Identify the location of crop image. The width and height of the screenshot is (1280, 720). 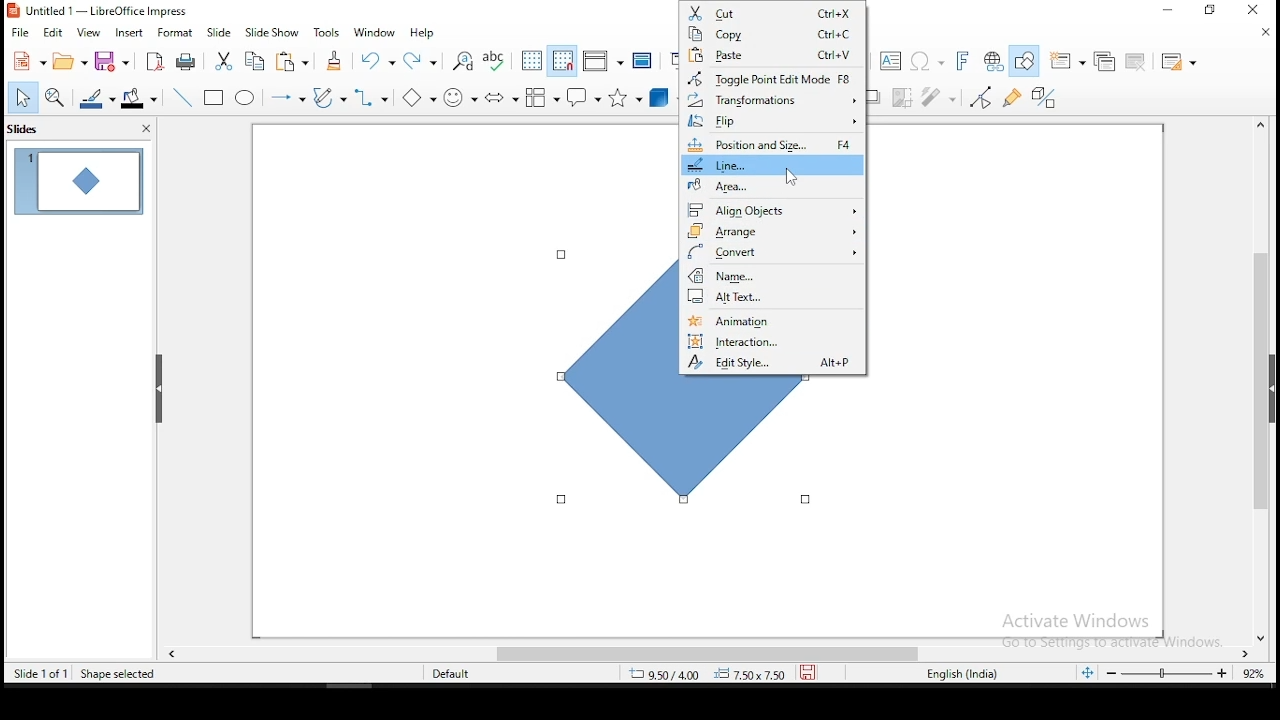
(903, 100).